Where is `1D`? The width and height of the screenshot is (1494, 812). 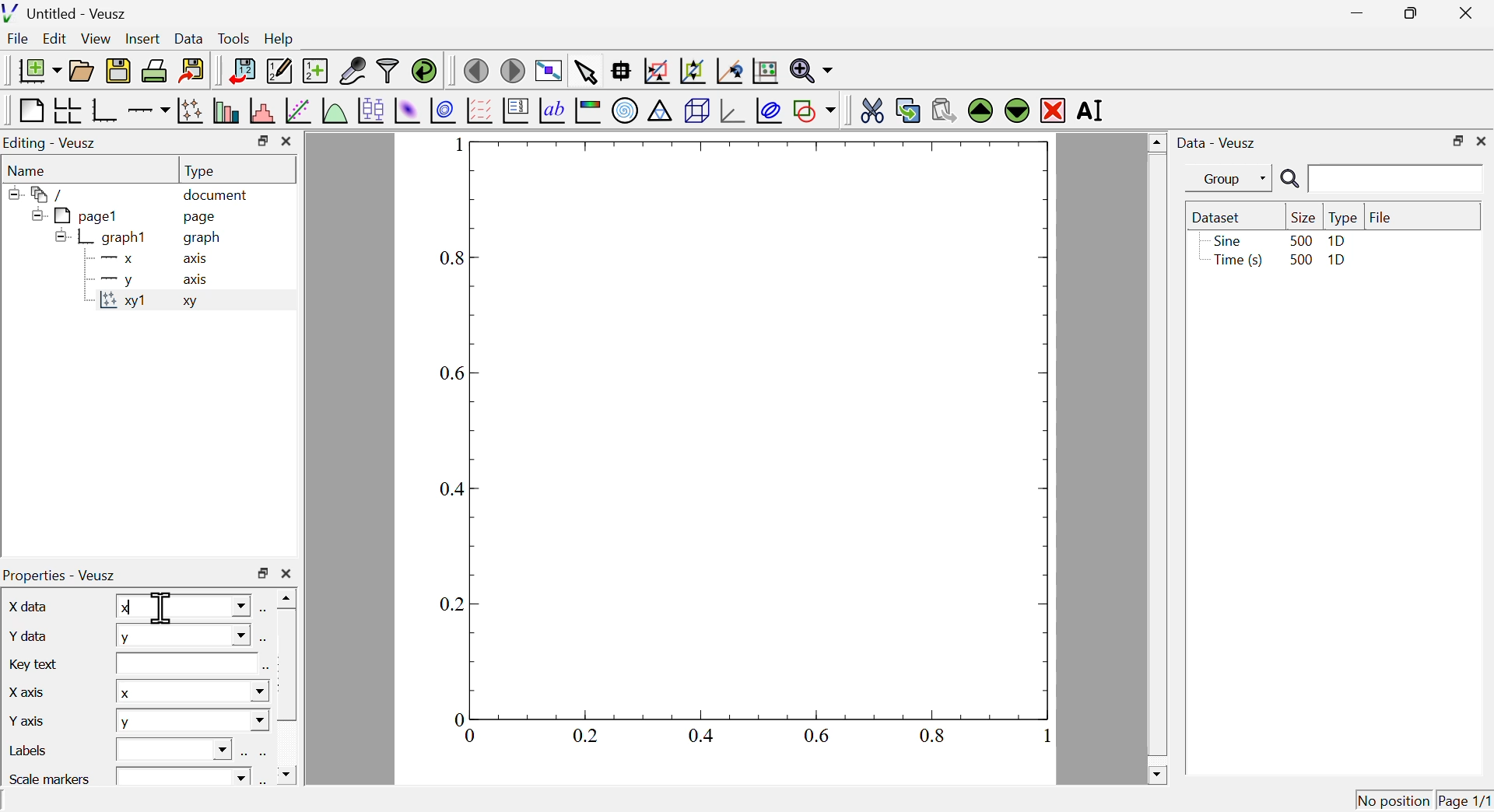
1D is located at coordinates (1337, 241).